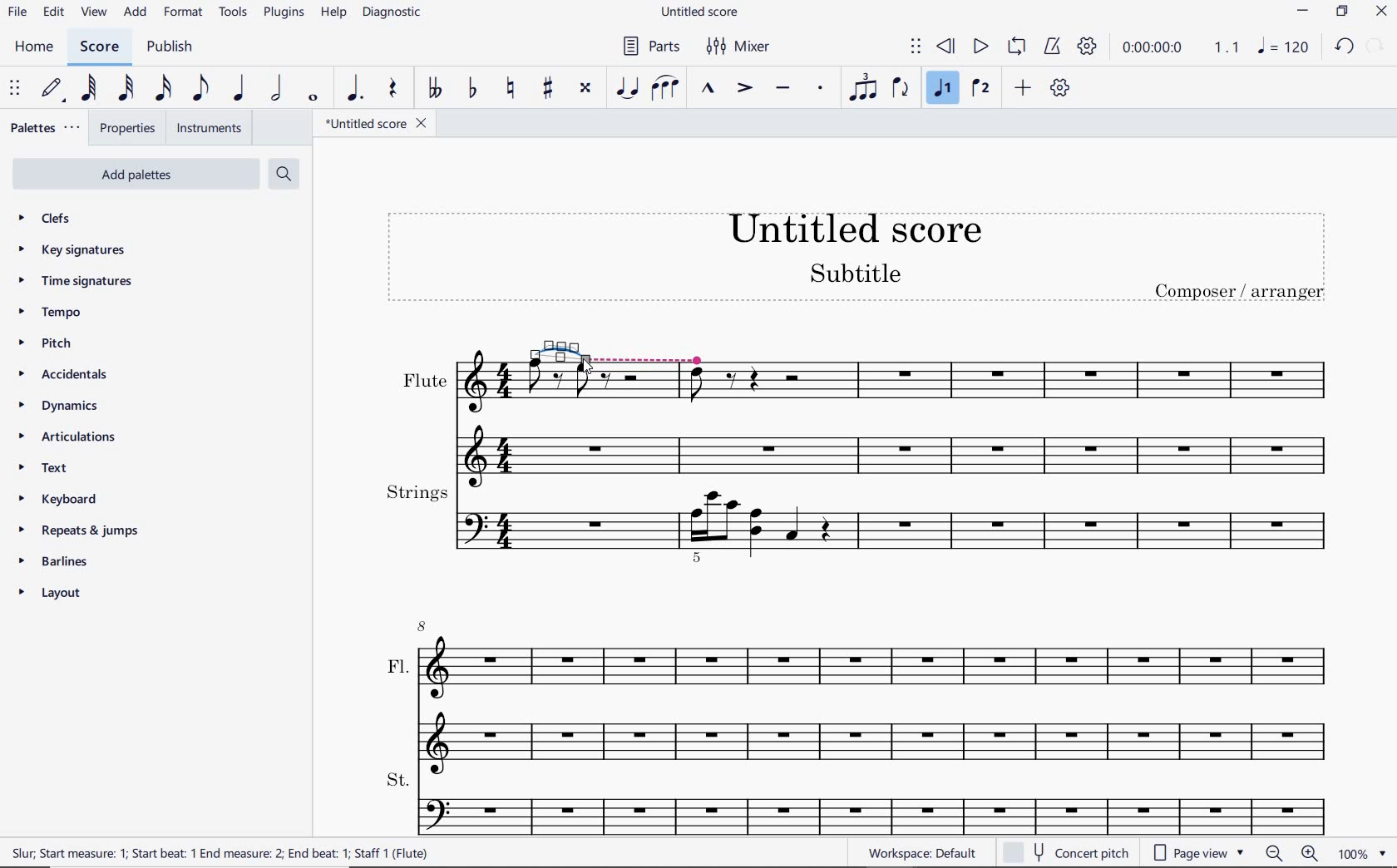 Image resolution: width=1397 pixels, height=868 pixels. What do you see at coordinates (782, 89) in the screenshot?
I see `TENUTO` at bounding box center [782, 89].